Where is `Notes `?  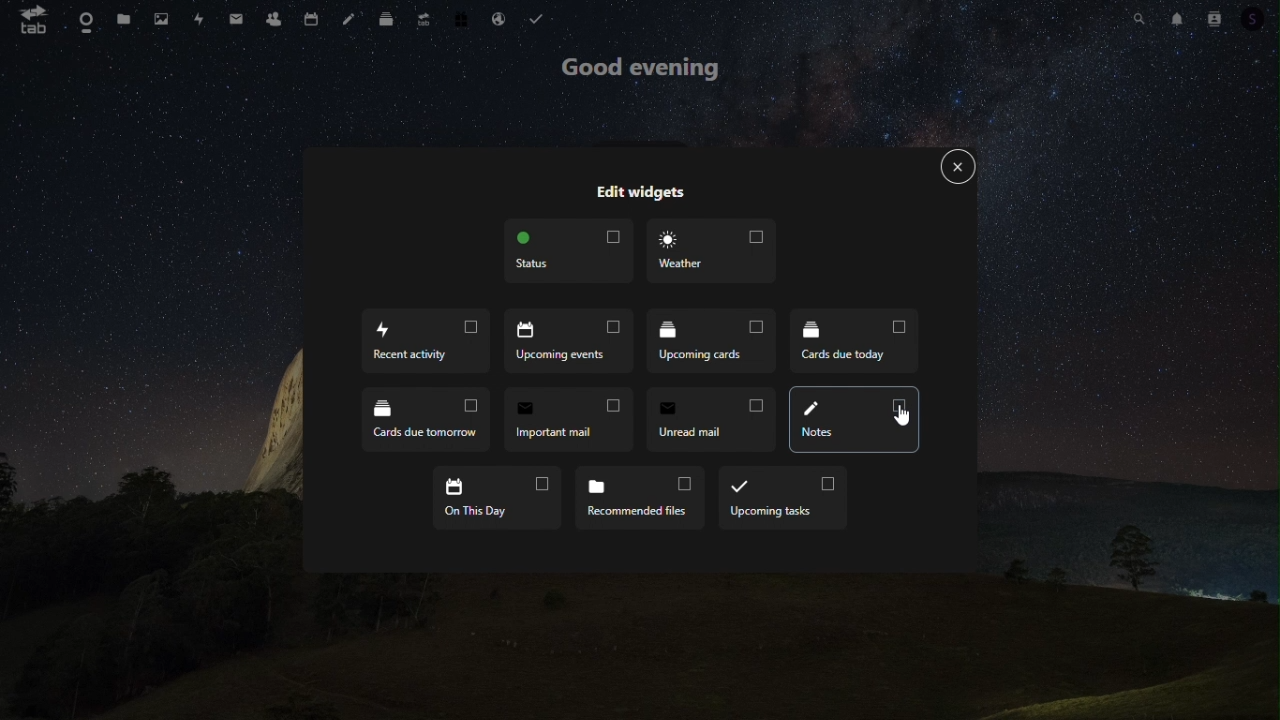
Notes  is located at coordinates (350, 19).